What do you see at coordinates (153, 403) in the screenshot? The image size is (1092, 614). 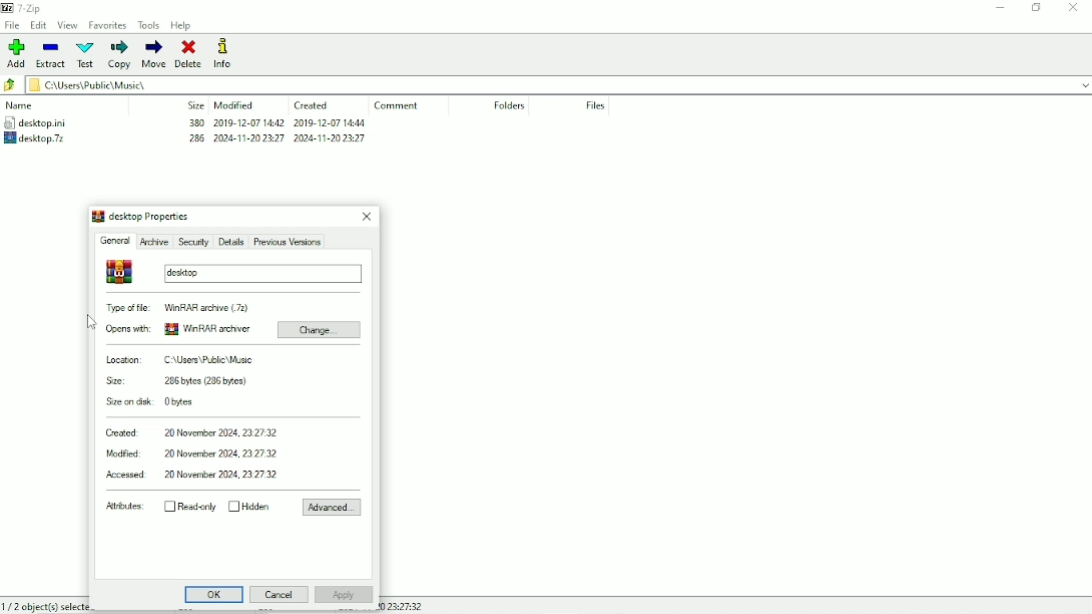 I see `Size on disk: 0 bytes` at bounding box center [153, 403].